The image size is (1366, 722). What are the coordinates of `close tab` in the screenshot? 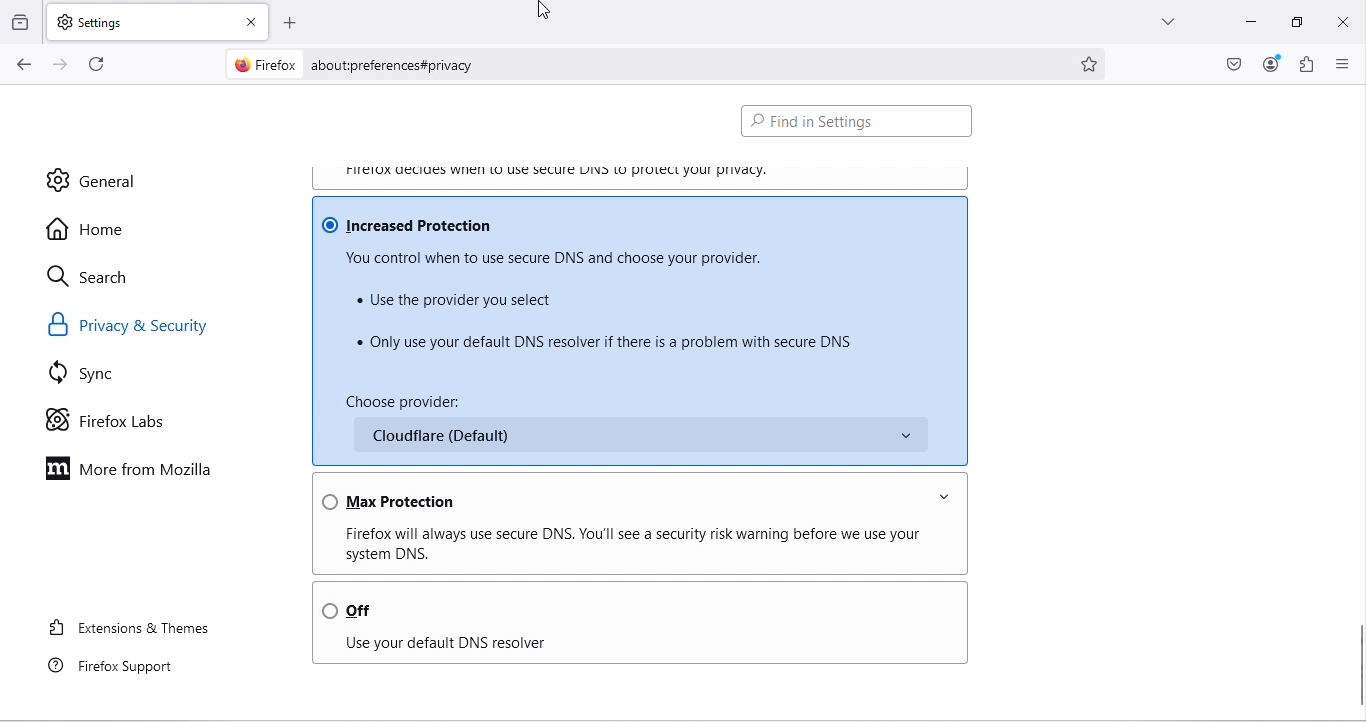 It's located at (248, 18).